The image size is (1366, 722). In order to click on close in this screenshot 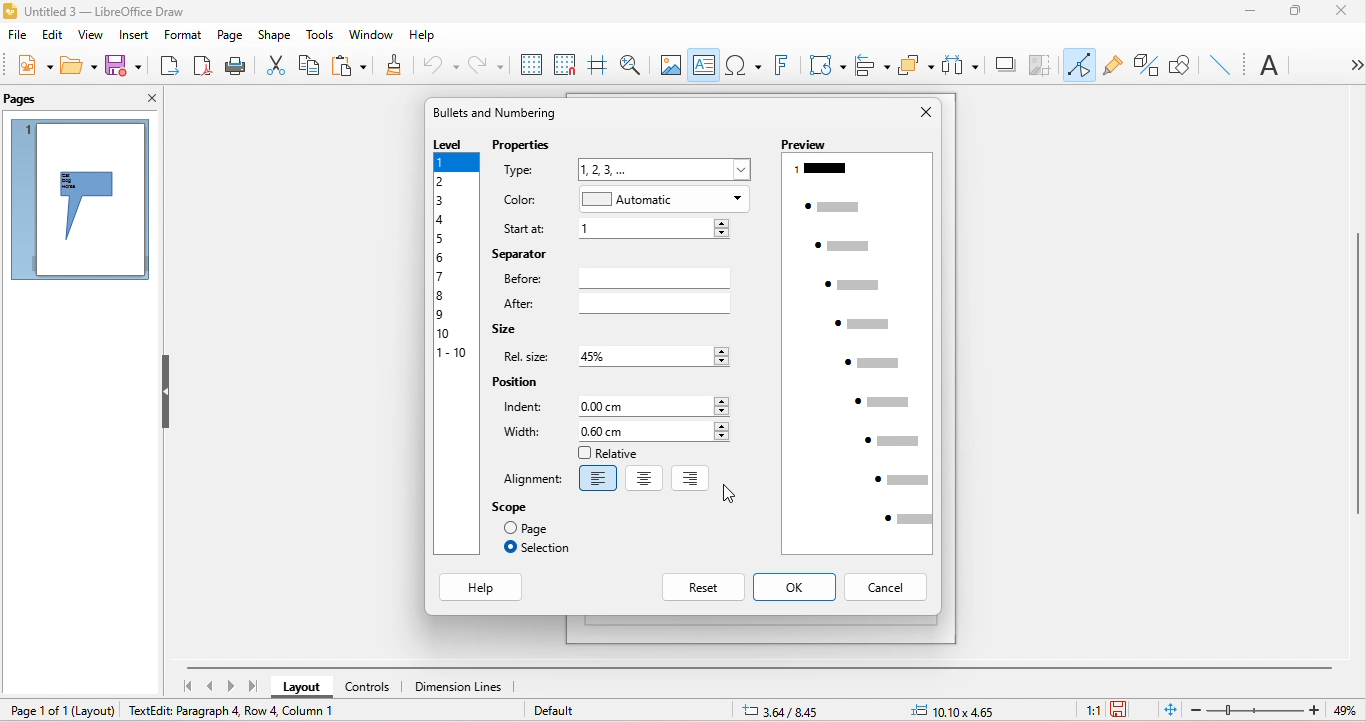, I will do `click(1343, 15)`.